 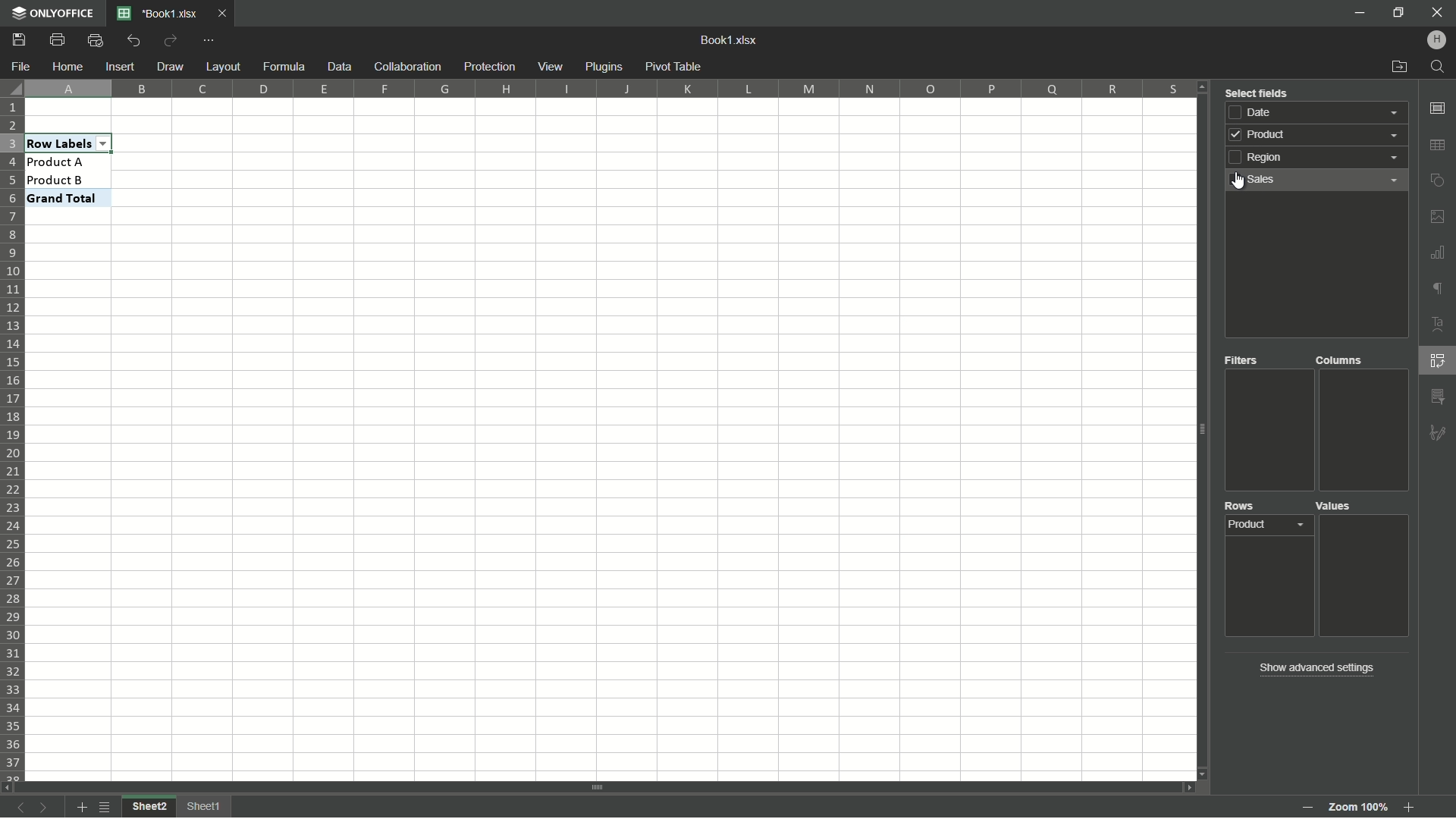 What do you see at coordinates (1438, 216) in the screenshot?
I see `insert image` at bounding box center [1438, 216].